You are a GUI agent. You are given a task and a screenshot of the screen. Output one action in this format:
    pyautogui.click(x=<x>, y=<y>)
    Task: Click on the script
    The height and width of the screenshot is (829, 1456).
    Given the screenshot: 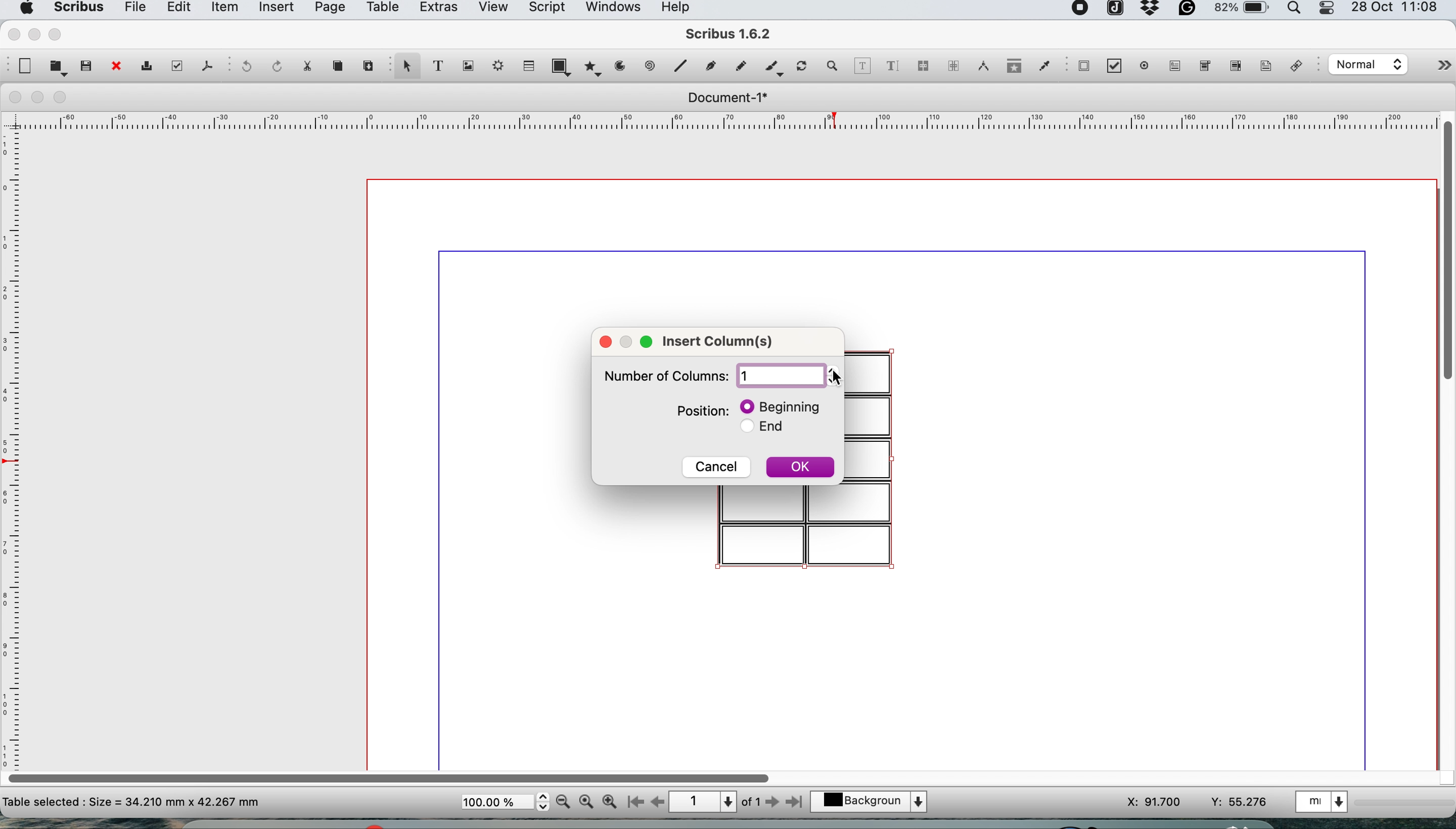 What is the action you would take?
    pyautogui.click(x=545, y=9)
    